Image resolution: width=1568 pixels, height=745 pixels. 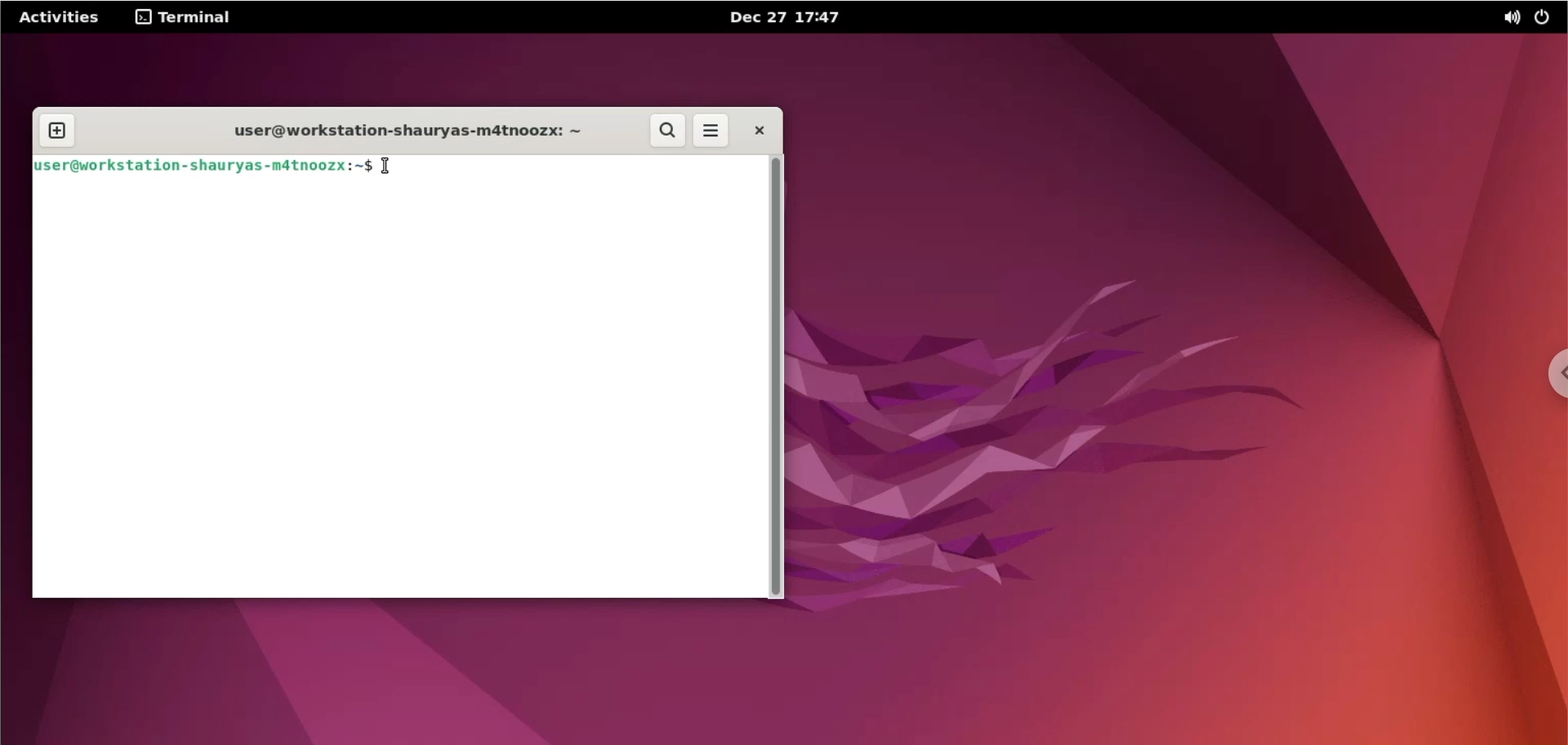 I want to click on new tab, so click(x=56, y=131).